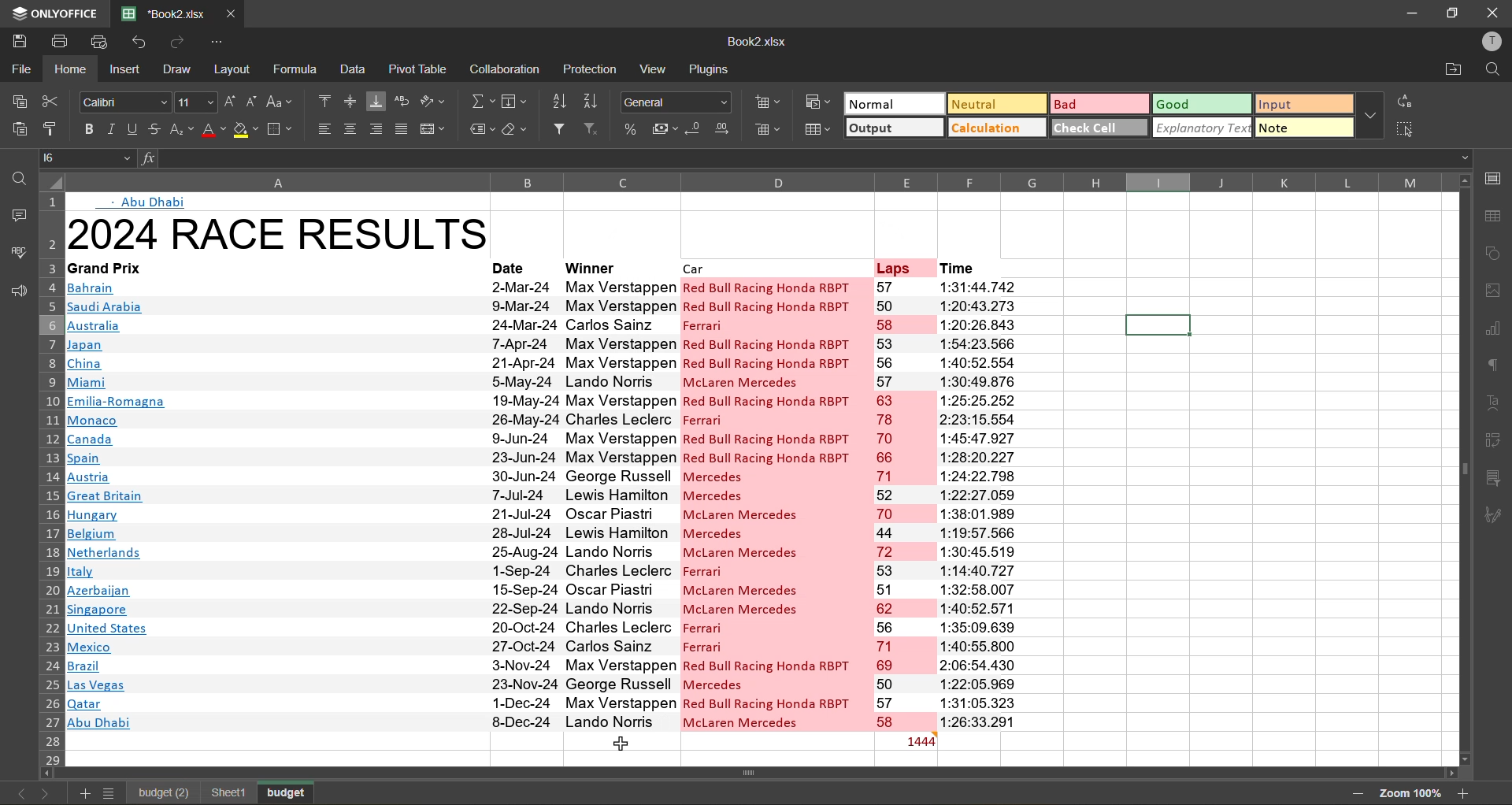 This screenshot has height=805, width=1512. What do you see at coordinates (1495, 293) in the screenshot?
I see `images` at bounding box center [1495, 293].